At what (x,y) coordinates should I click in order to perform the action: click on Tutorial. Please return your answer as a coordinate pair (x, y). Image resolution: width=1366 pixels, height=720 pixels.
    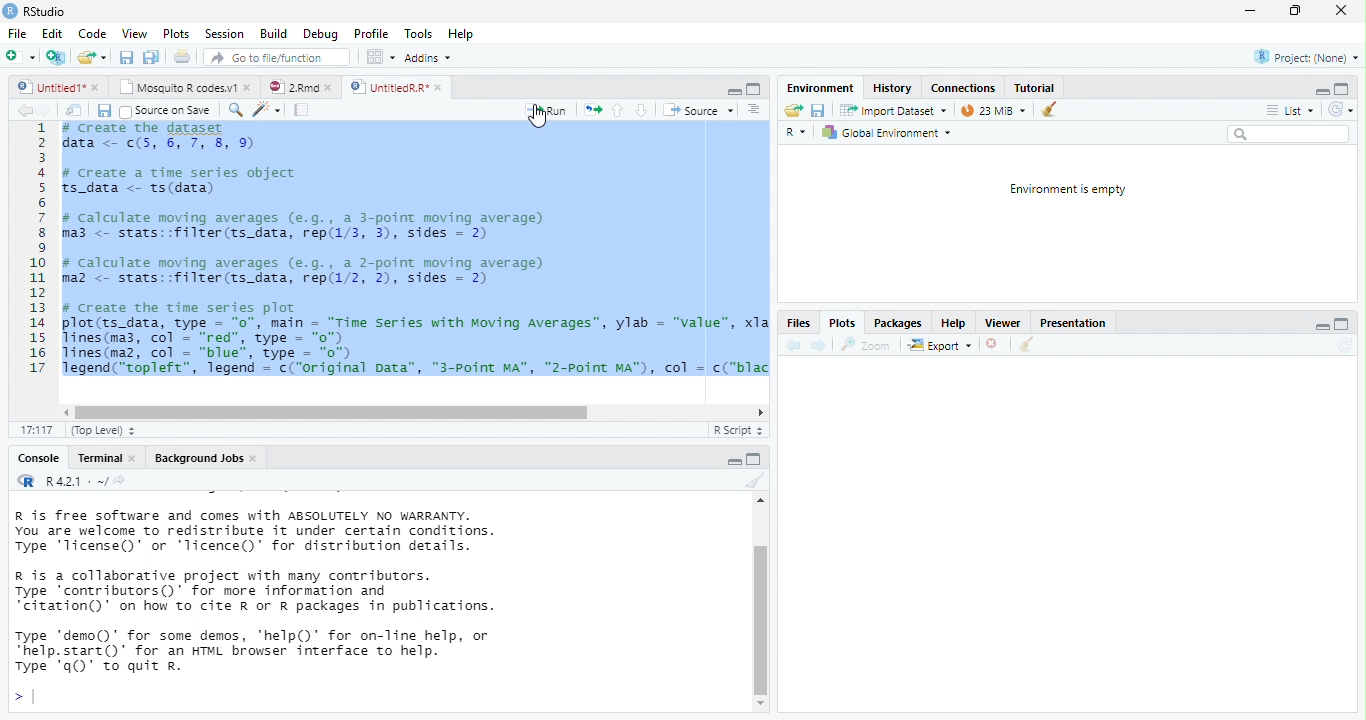
    Looking at the image, I should click on (1035, 87).